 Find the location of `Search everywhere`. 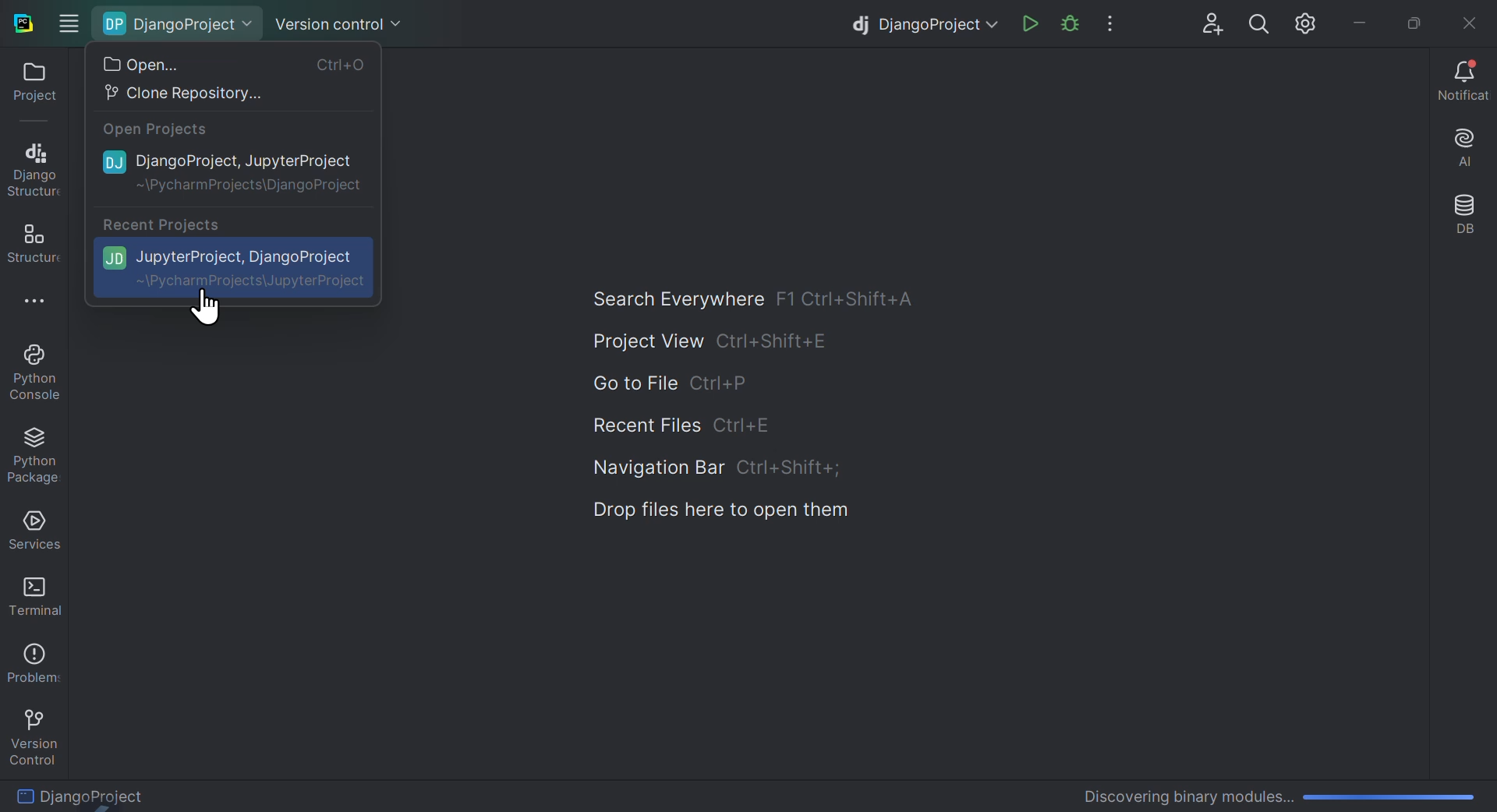

Search everywhere is located at coordinates (667, 294).